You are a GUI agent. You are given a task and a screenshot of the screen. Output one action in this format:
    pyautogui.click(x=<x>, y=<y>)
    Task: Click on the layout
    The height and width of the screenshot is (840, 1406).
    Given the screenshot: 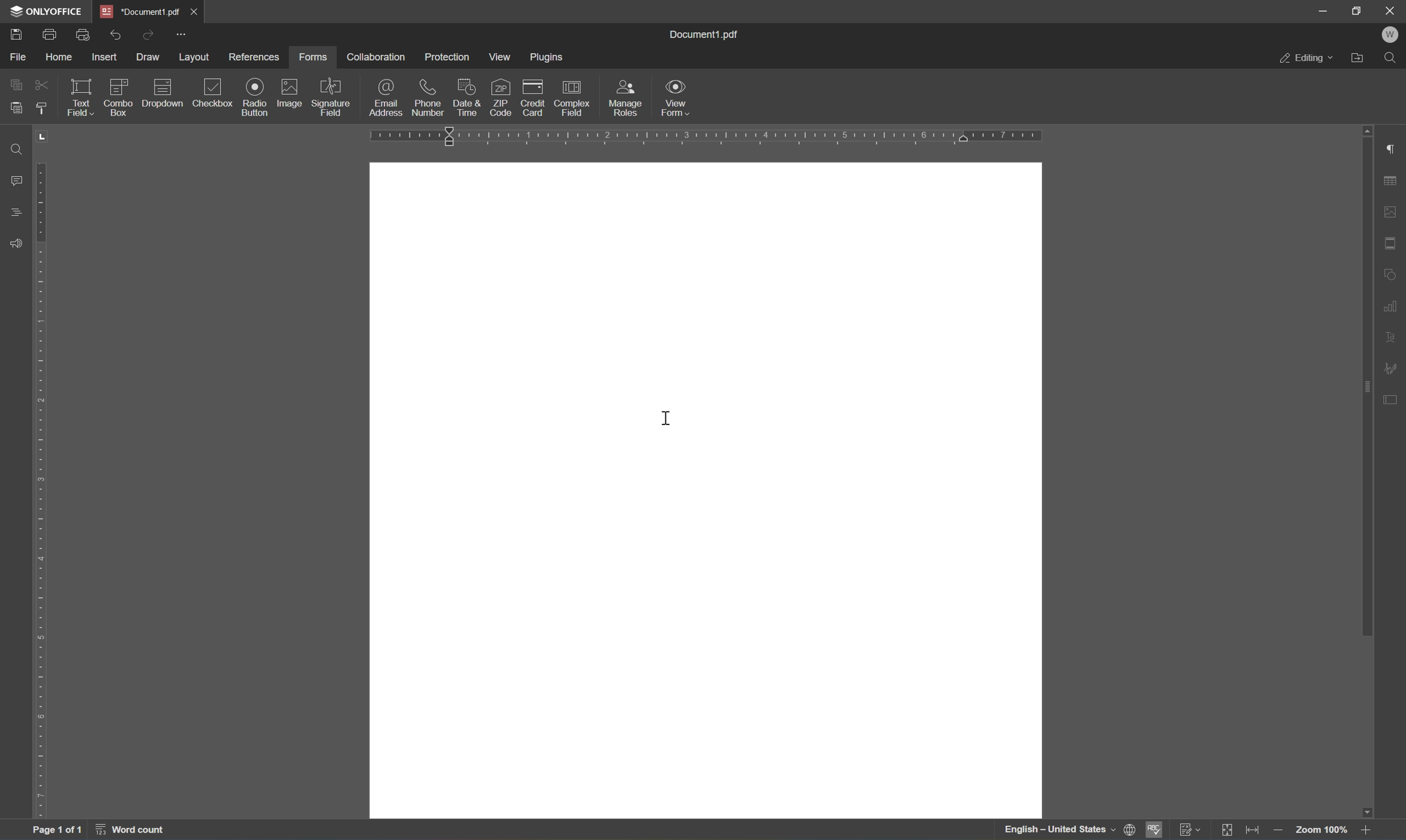 What is the action you would take?
    pyautogui.click(x=193, y=58)
    